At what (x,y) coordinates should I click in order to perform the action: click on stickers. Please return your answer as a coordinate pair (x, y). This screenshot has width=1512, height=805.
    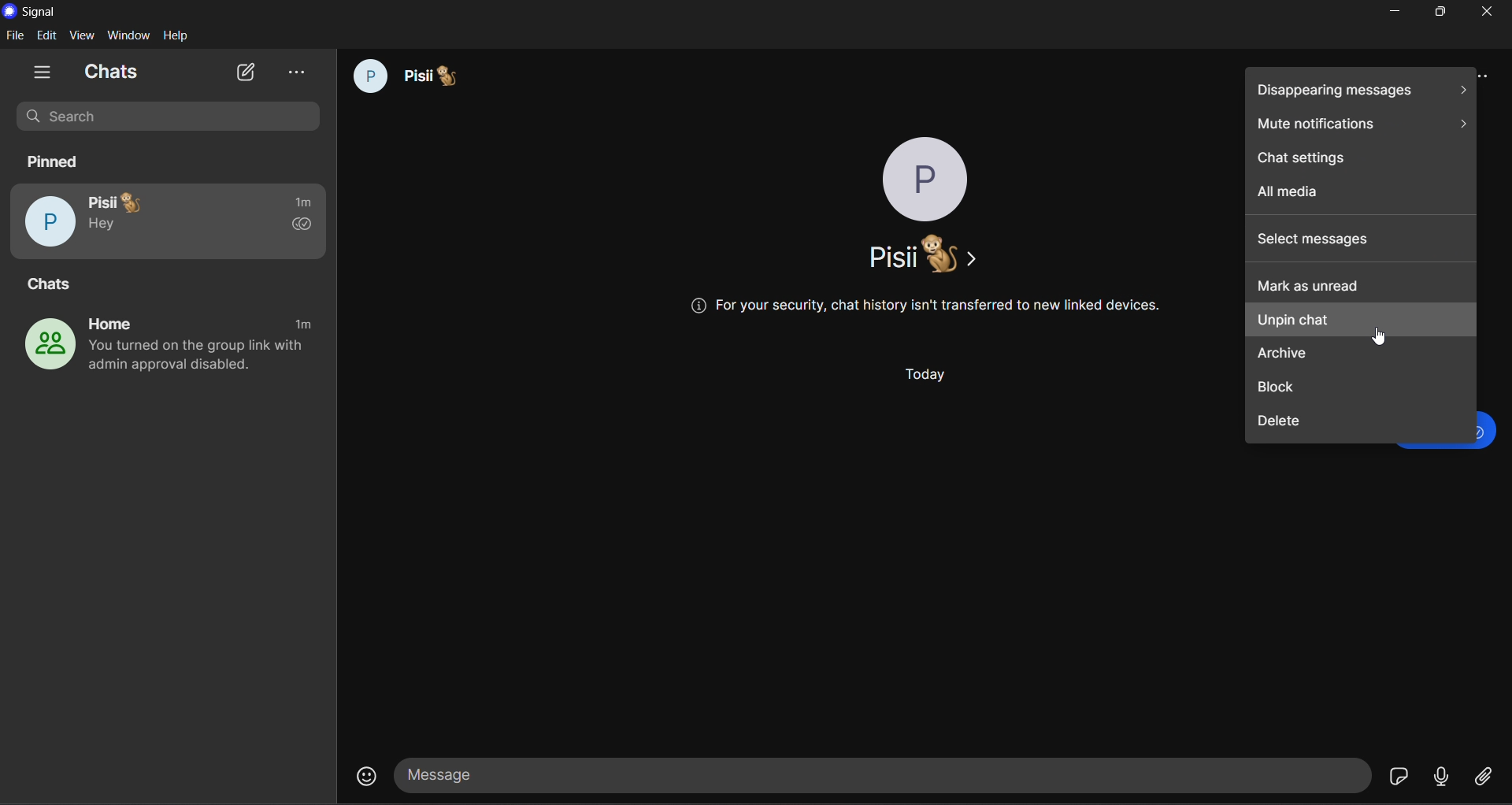
    Looking at the image, I should click on (1401, 776).